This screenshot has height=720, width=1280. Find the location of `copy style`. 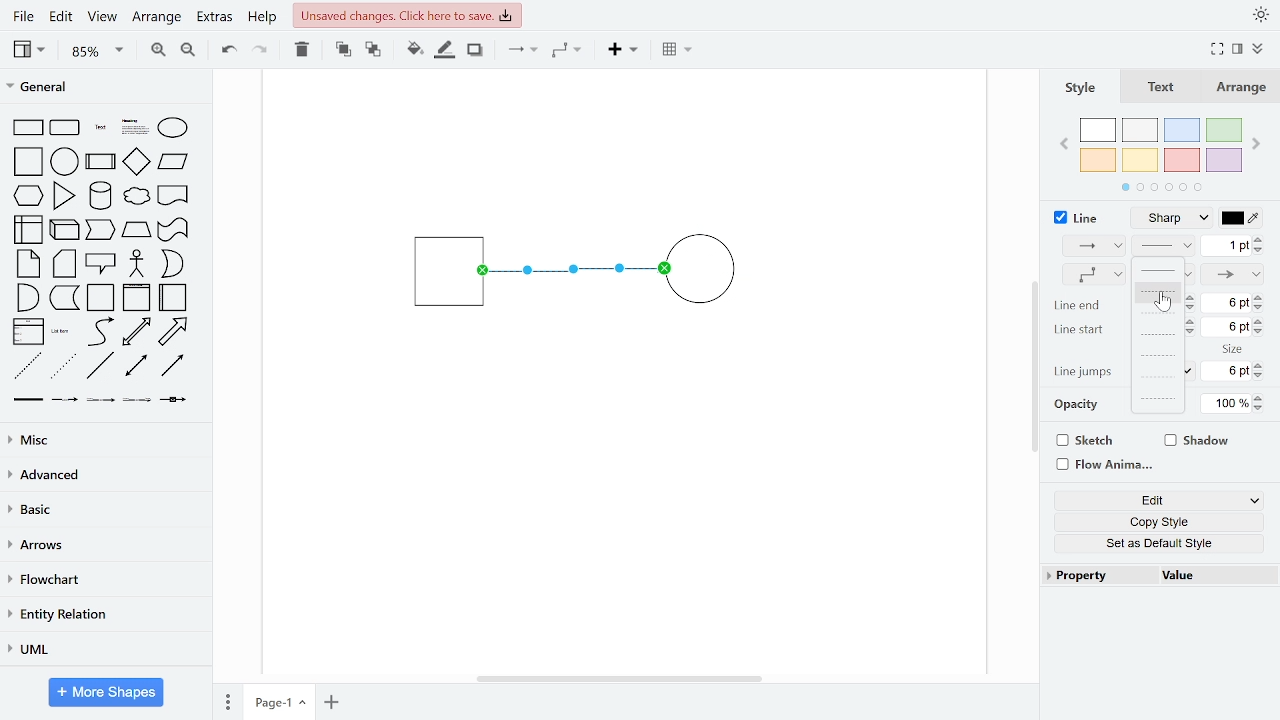

copy style is located at coordinates (1160, 521).